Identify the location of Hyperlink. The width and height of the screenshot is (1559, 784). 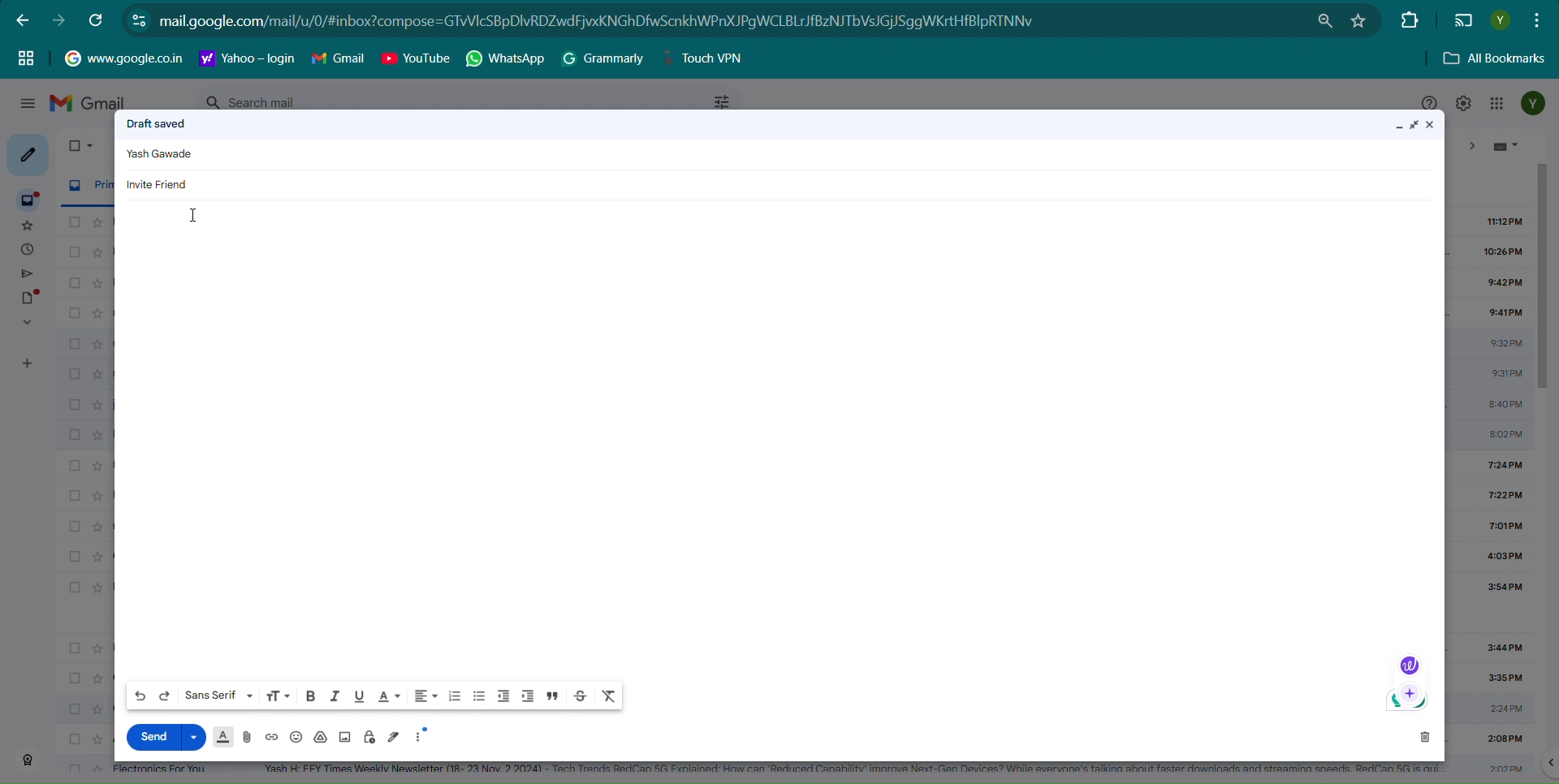
(248, 58).